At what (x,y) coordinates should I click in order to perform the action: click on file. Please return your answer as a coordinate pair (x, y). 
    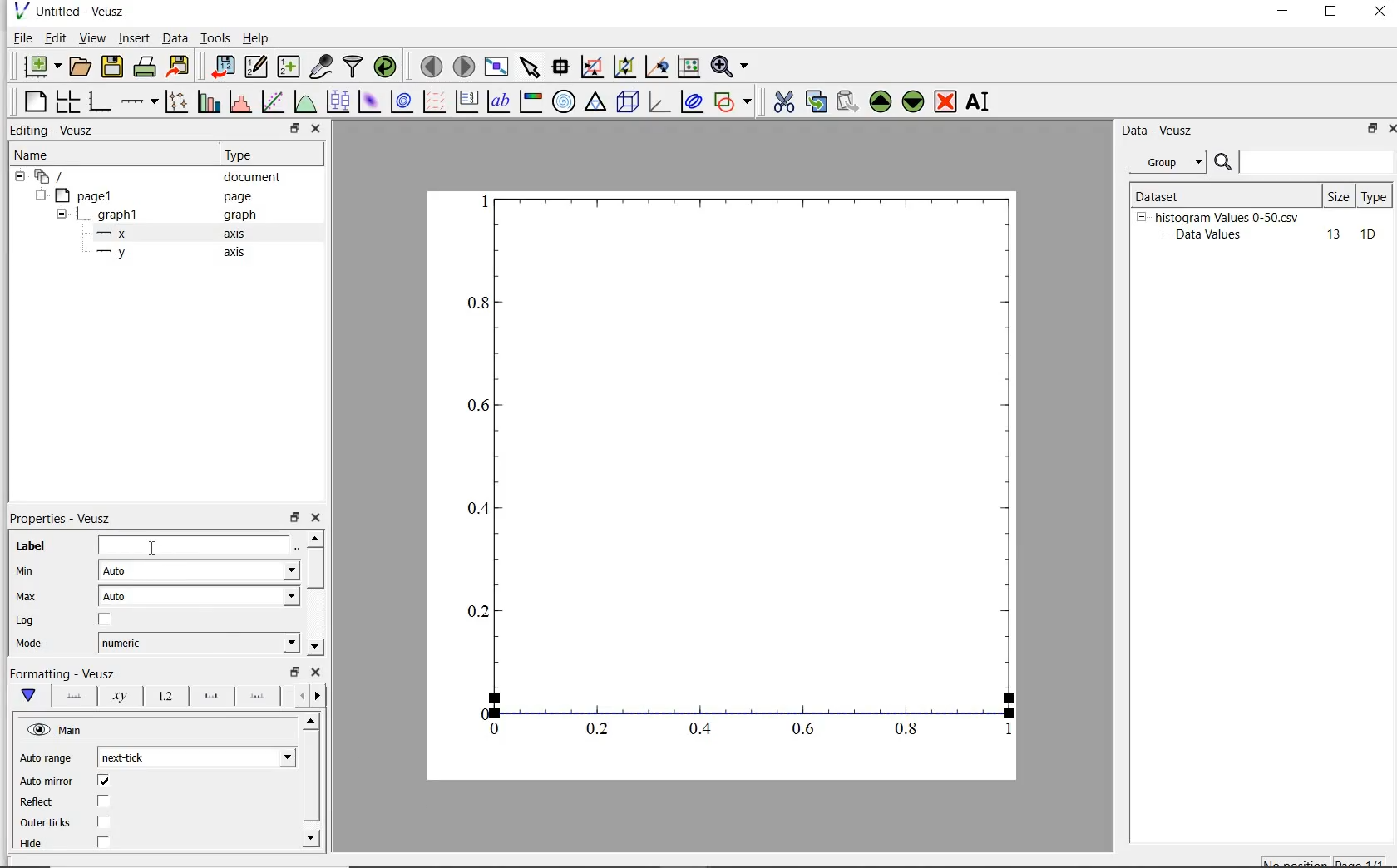
    Looking at the image, I should click on (22, 37).